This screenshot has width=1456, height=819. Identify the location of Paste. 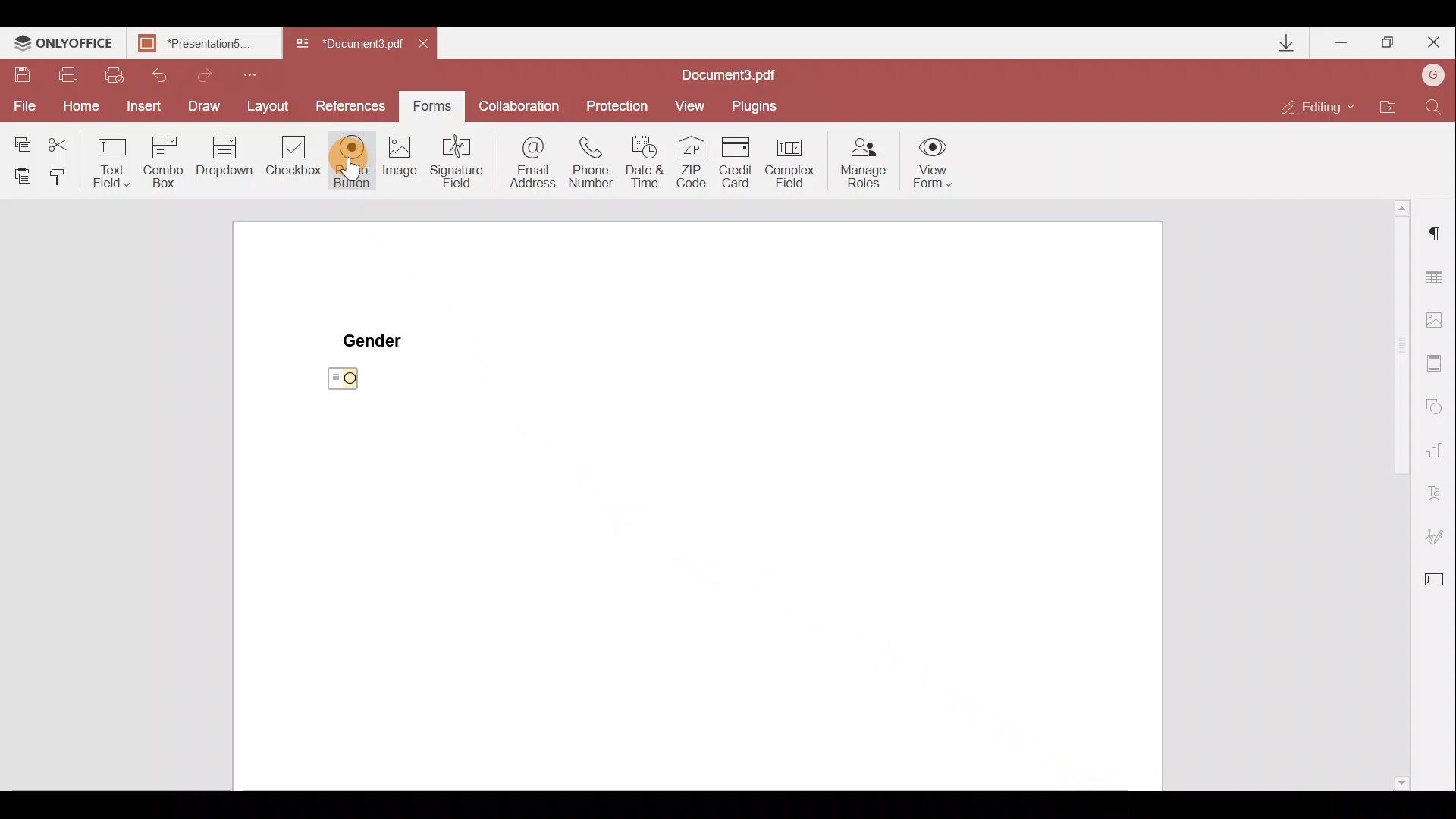
(20, 174).